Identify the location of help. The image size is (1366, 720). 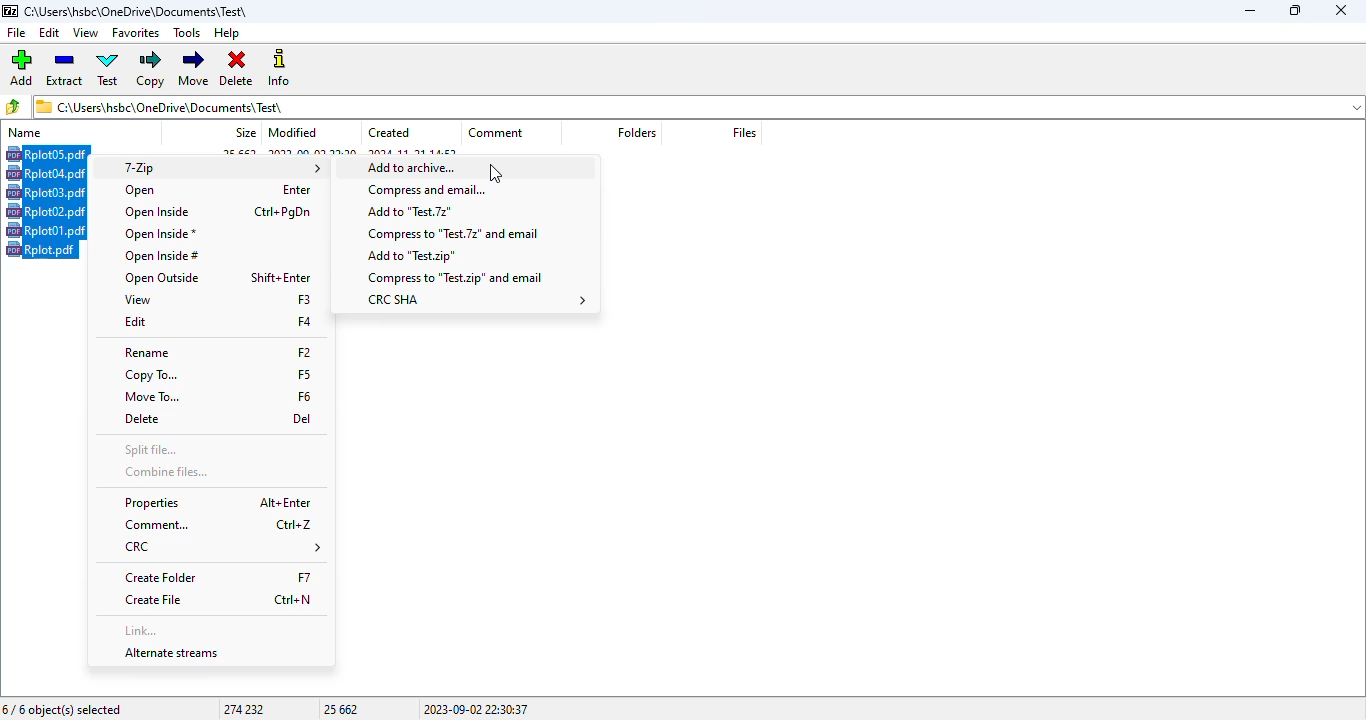
(227, 33).